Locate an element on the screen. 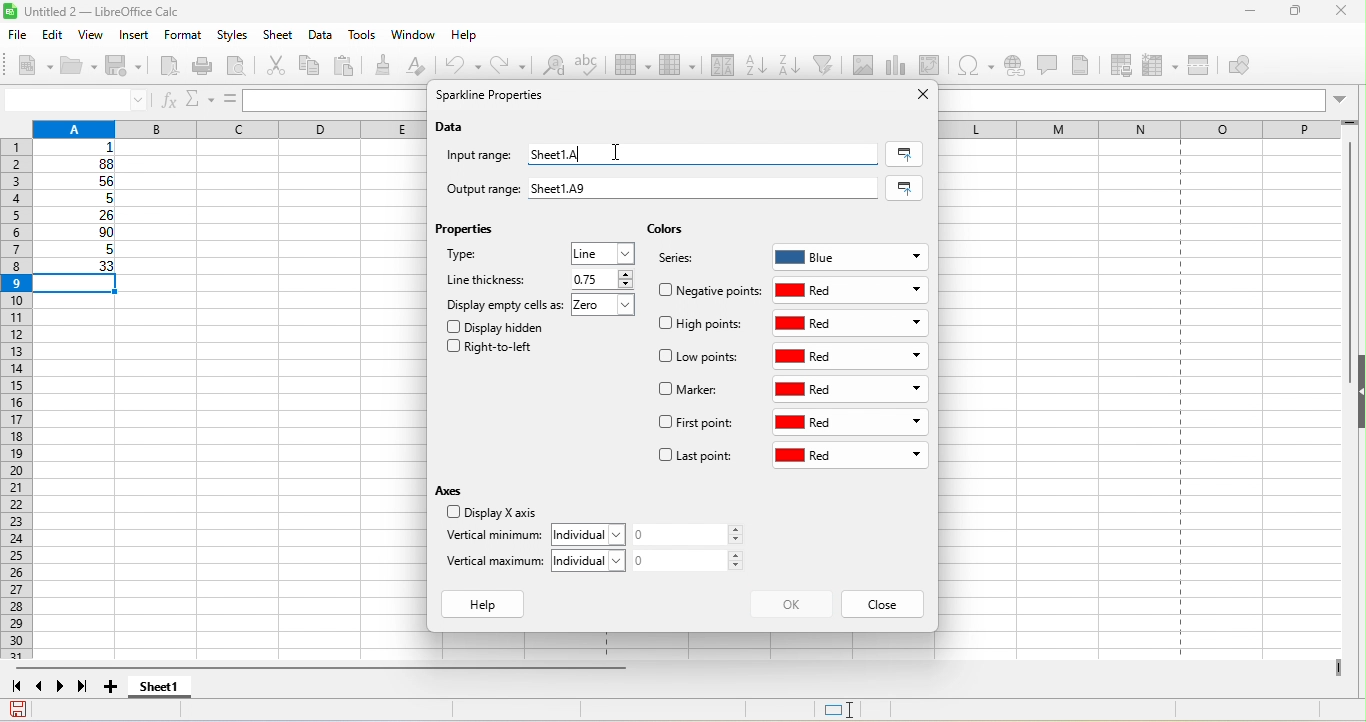 The height and width of the screenshot is (722, 1366). display hidden is located at coordinates (500, 326).